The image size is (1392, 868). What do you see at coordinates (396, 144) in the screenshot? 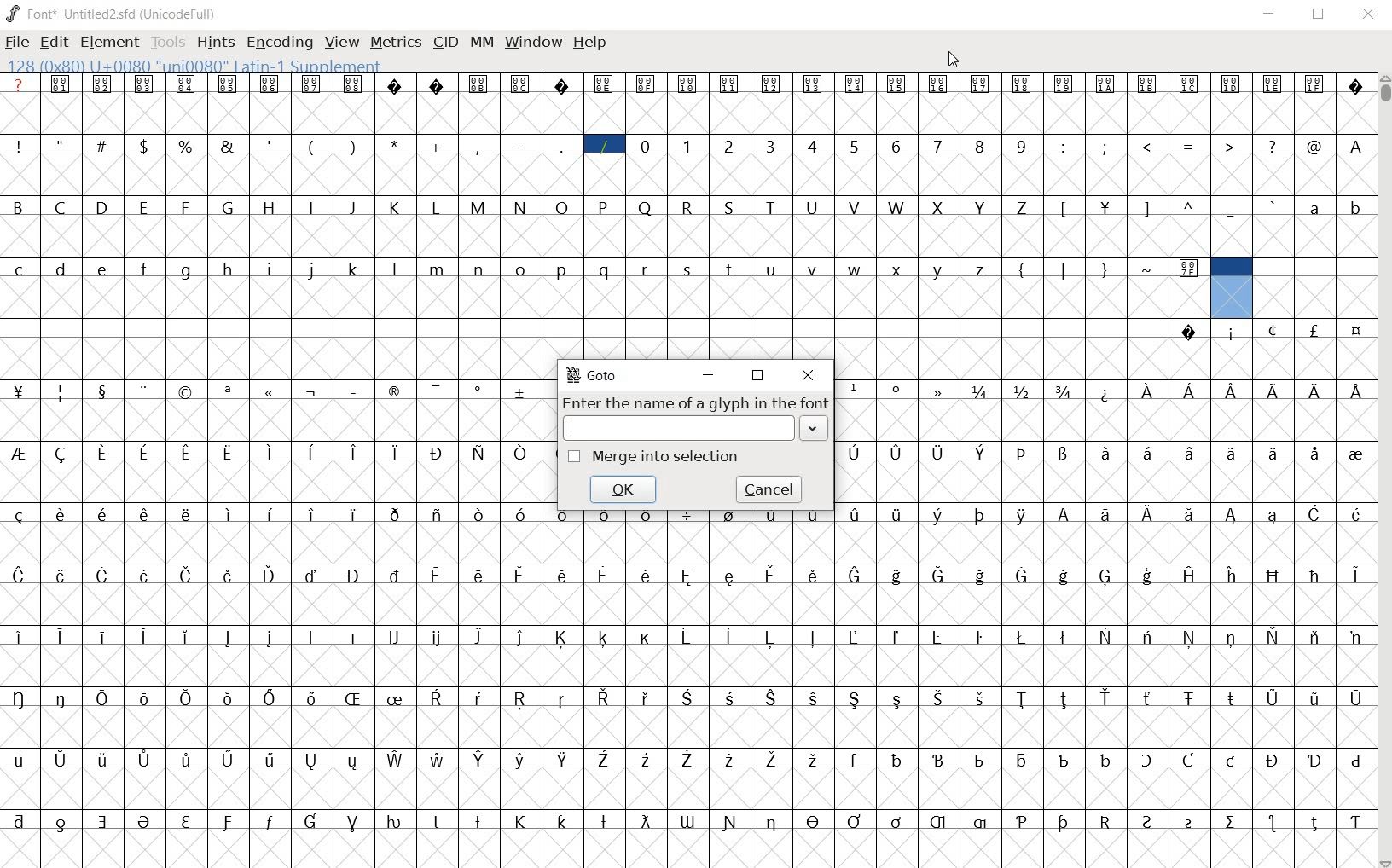
I see `*` at bounding box center [396, 144].